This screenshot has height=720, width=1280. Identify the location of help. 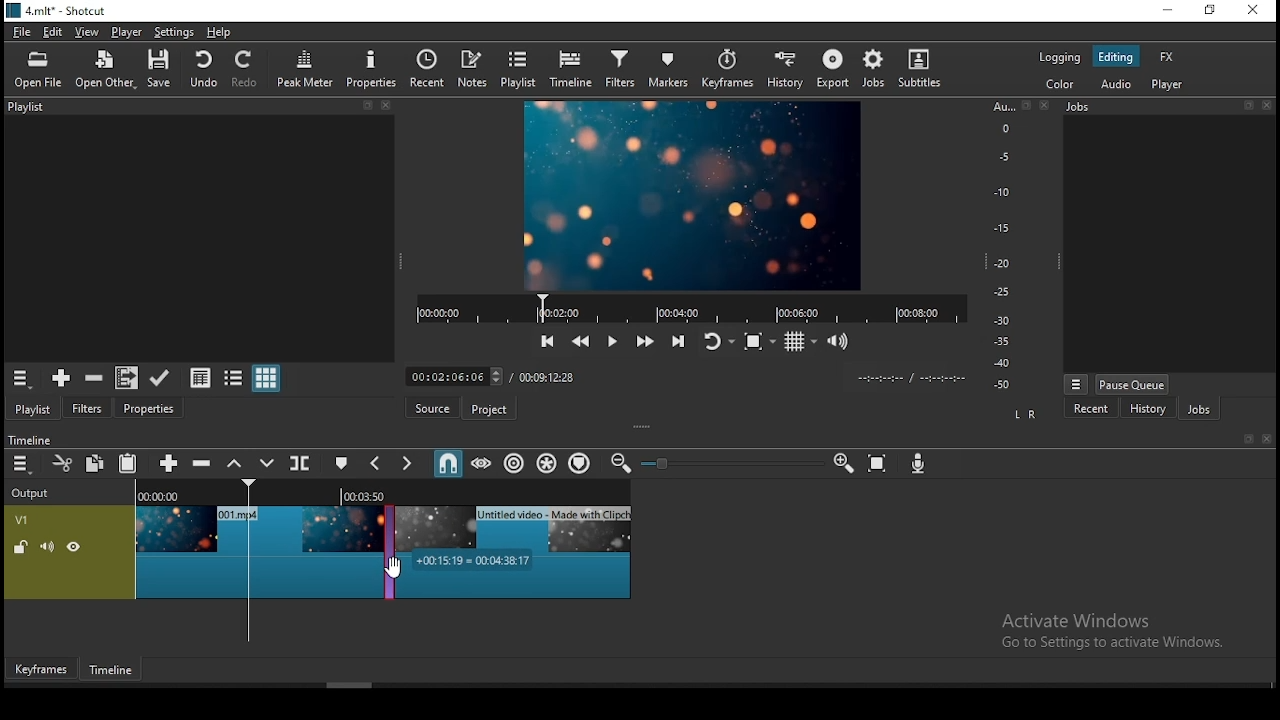
(219, 33).